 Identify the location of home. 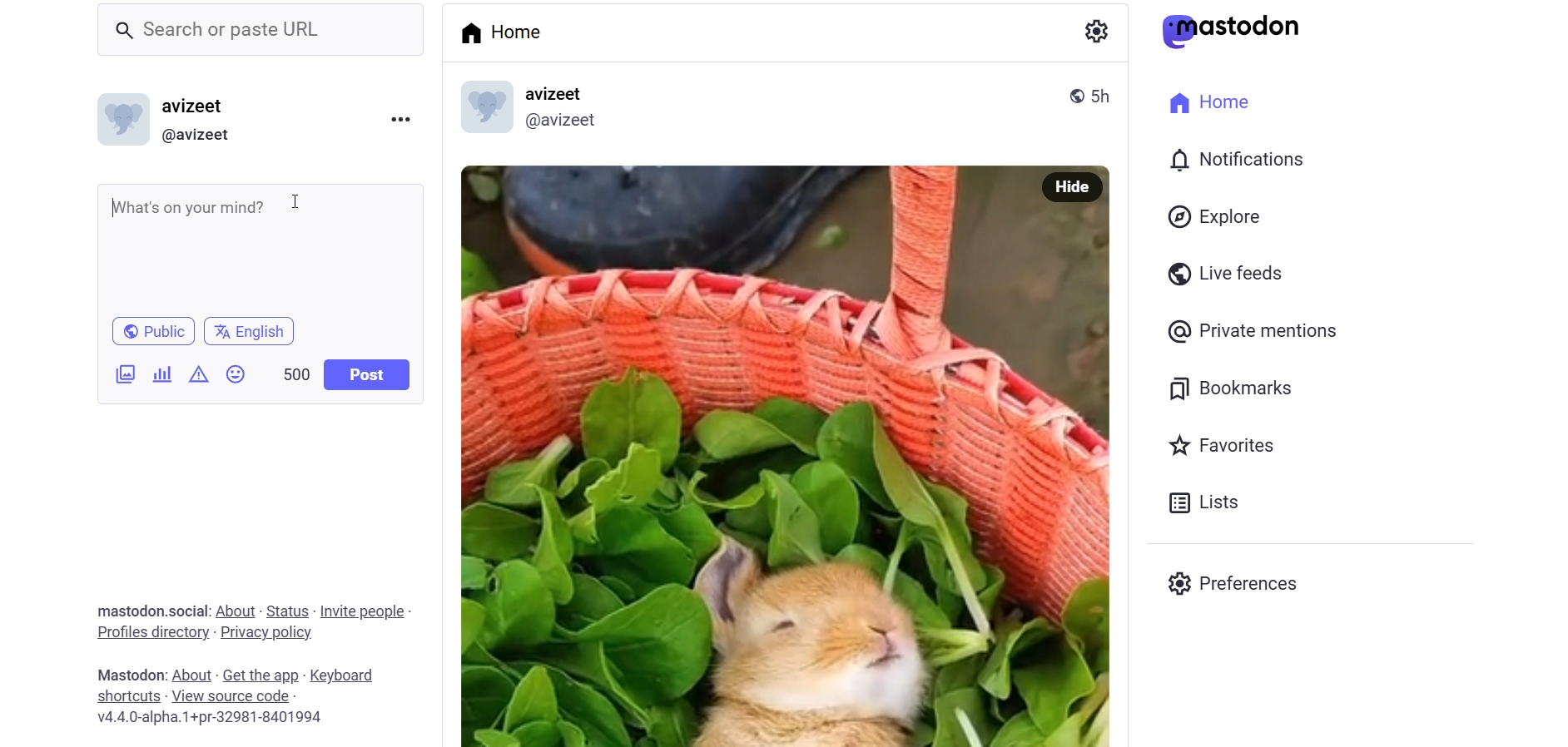
(499, 30).